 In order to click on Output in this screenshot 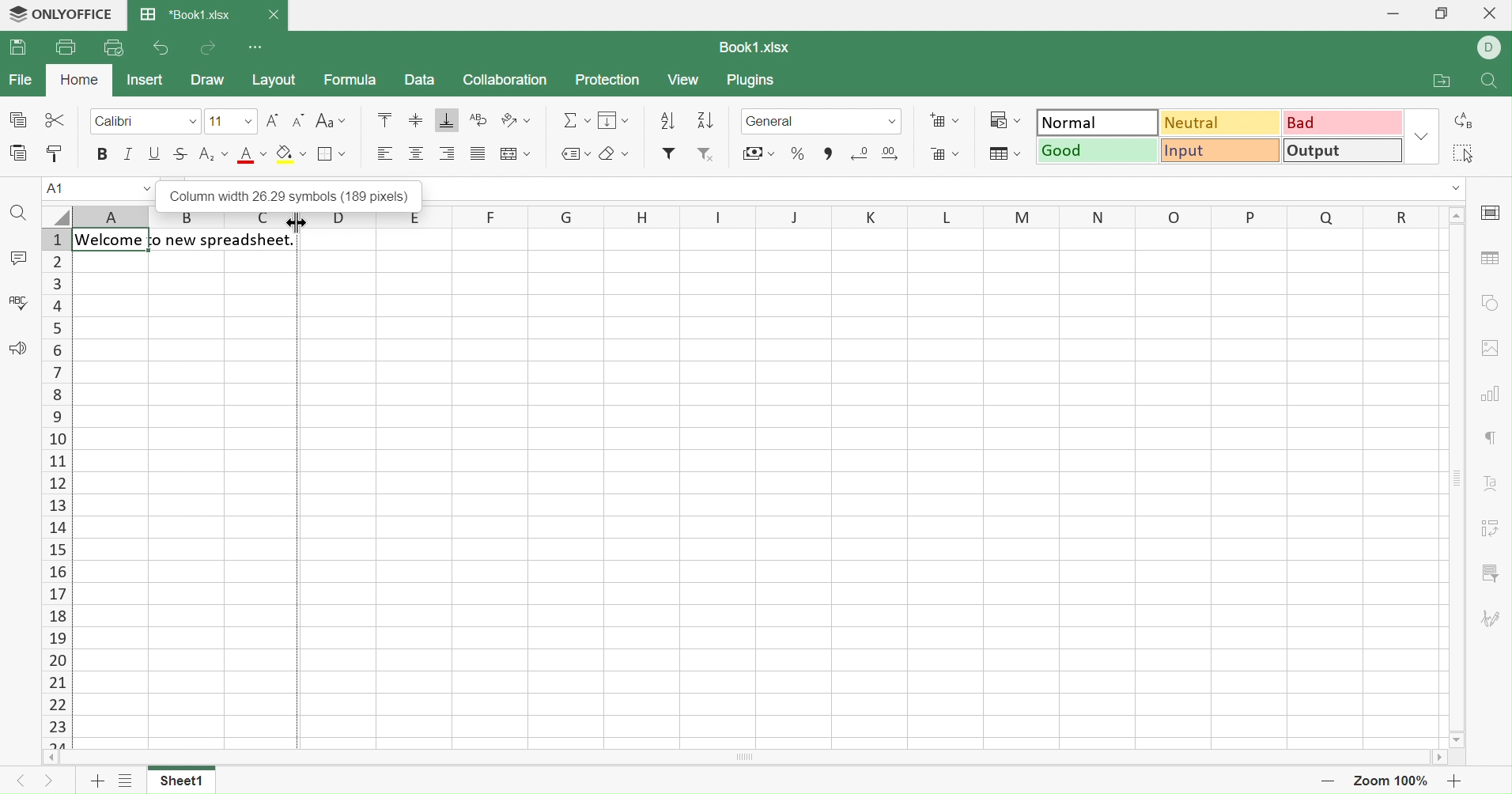, I will do `click(1345, 149)`.